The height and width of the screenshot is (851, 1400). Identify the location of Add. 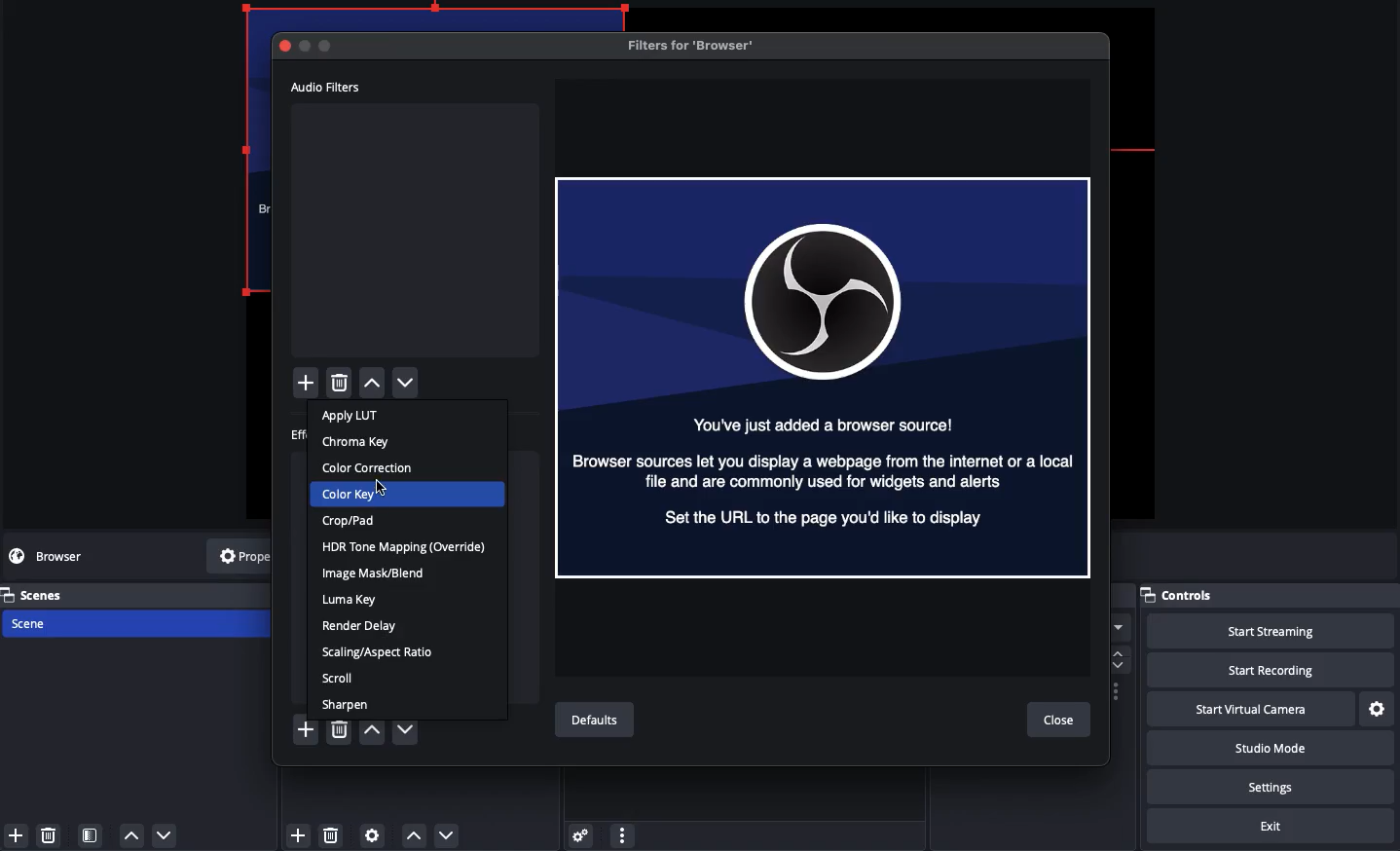
(299, 834).